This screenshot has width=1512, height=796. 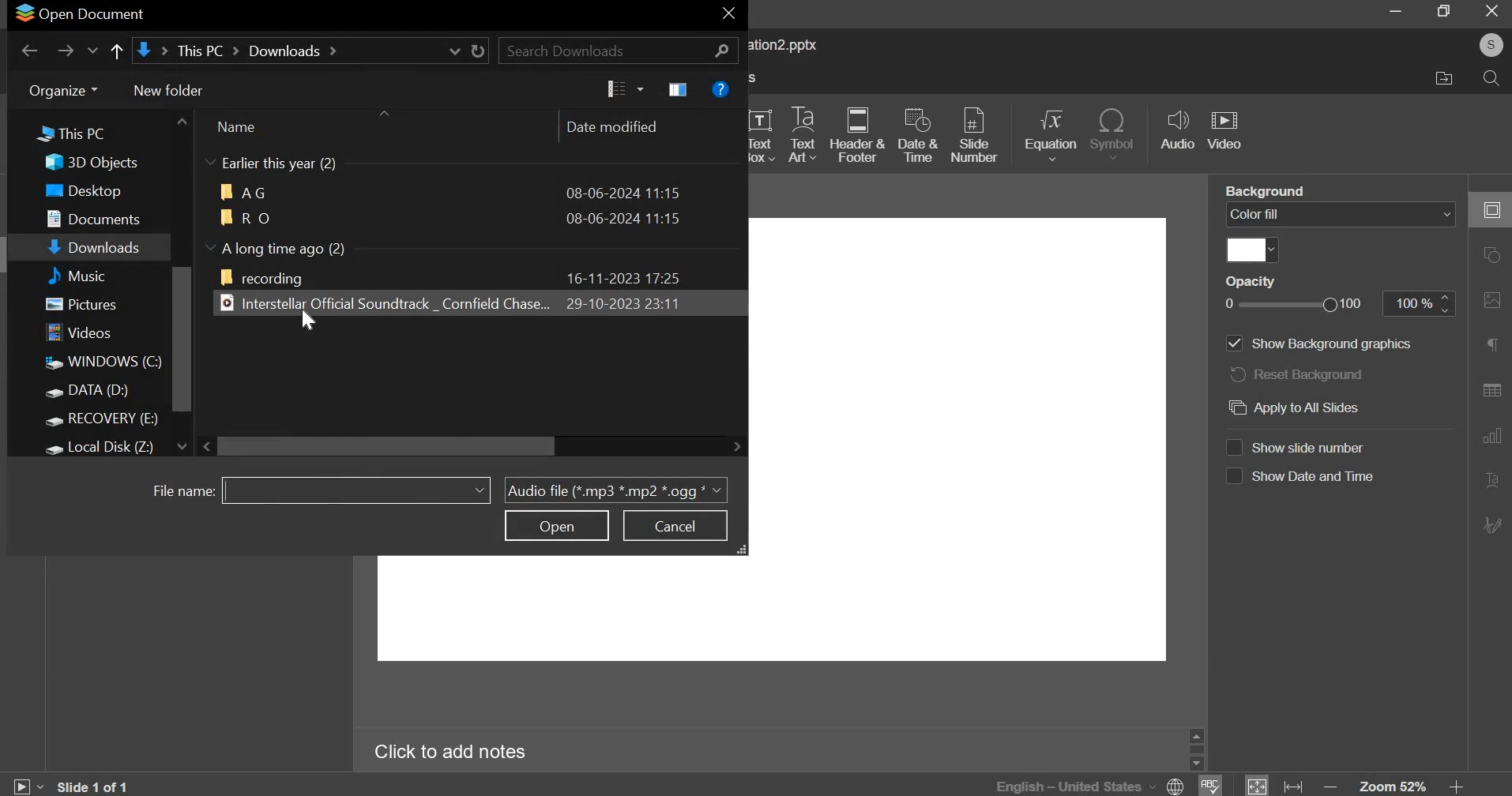 What do you see at coordinates (388, 446) in the screenshot?
I see `horizontal scrollbar` at bounding box center [388, 446].